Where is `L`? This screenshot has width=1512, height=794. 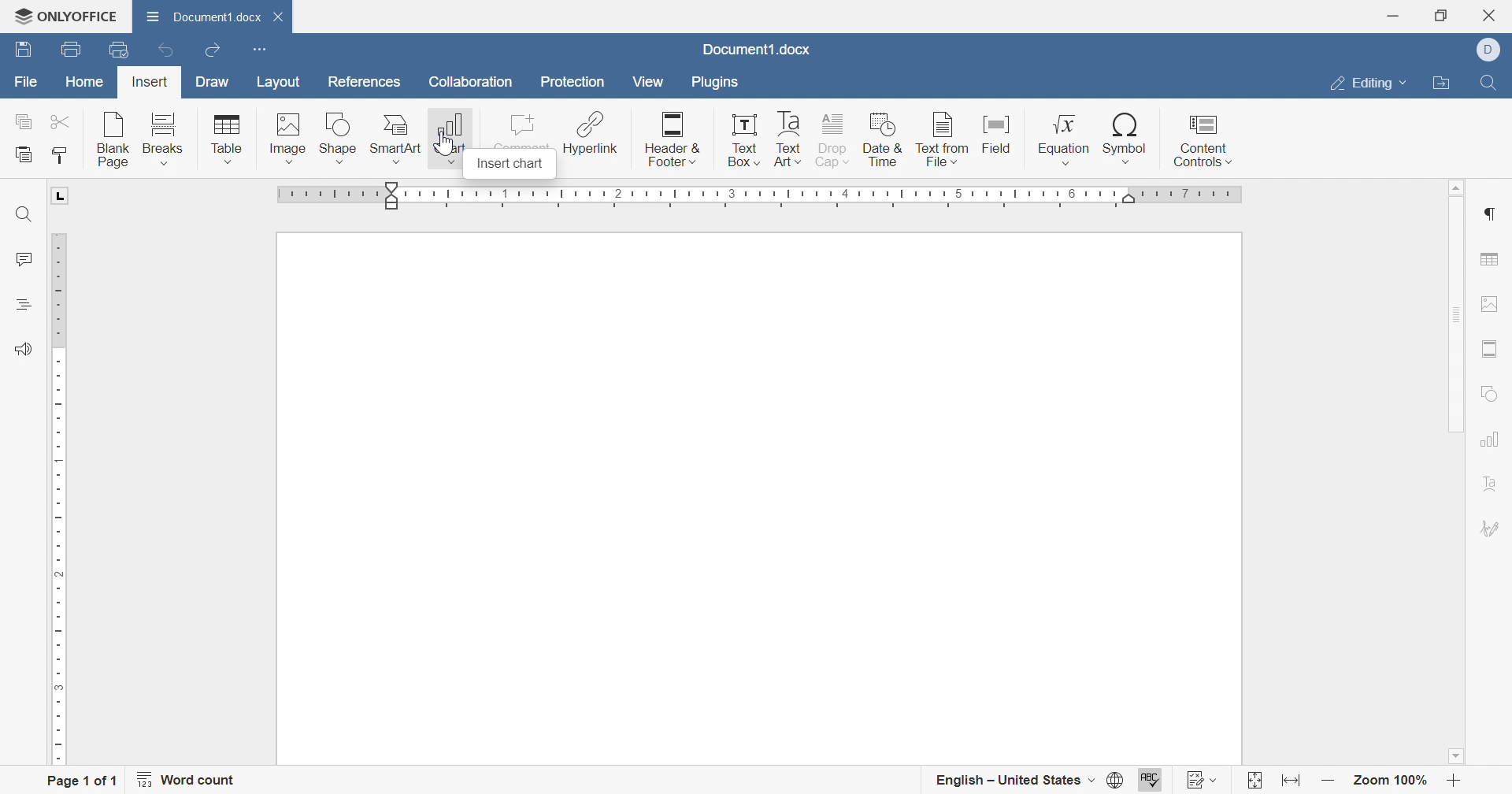
L is located at coordinates (61, 196).